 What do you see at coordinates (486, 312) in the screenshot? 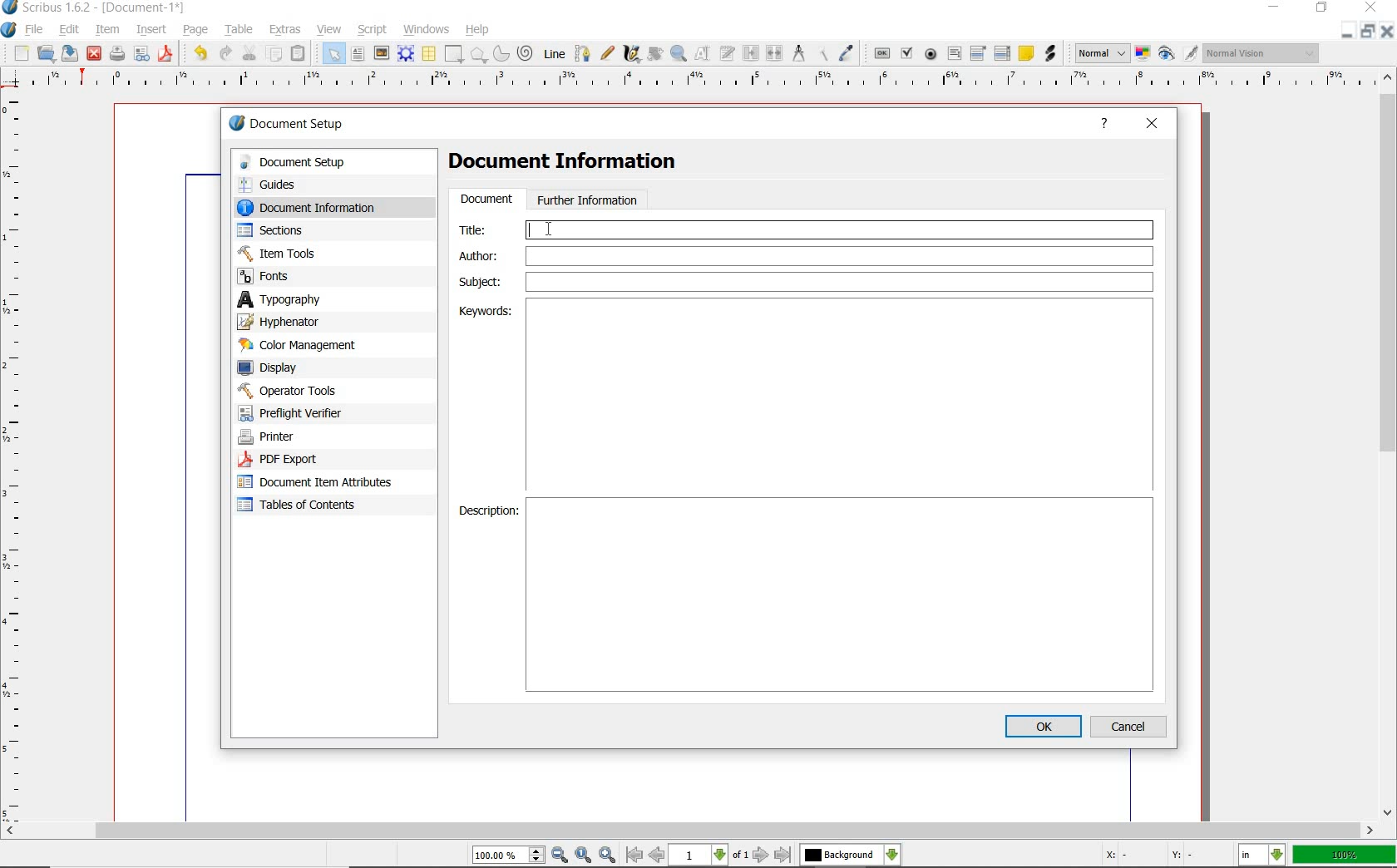
I see `Keywords` at bounding box center [486, 312].